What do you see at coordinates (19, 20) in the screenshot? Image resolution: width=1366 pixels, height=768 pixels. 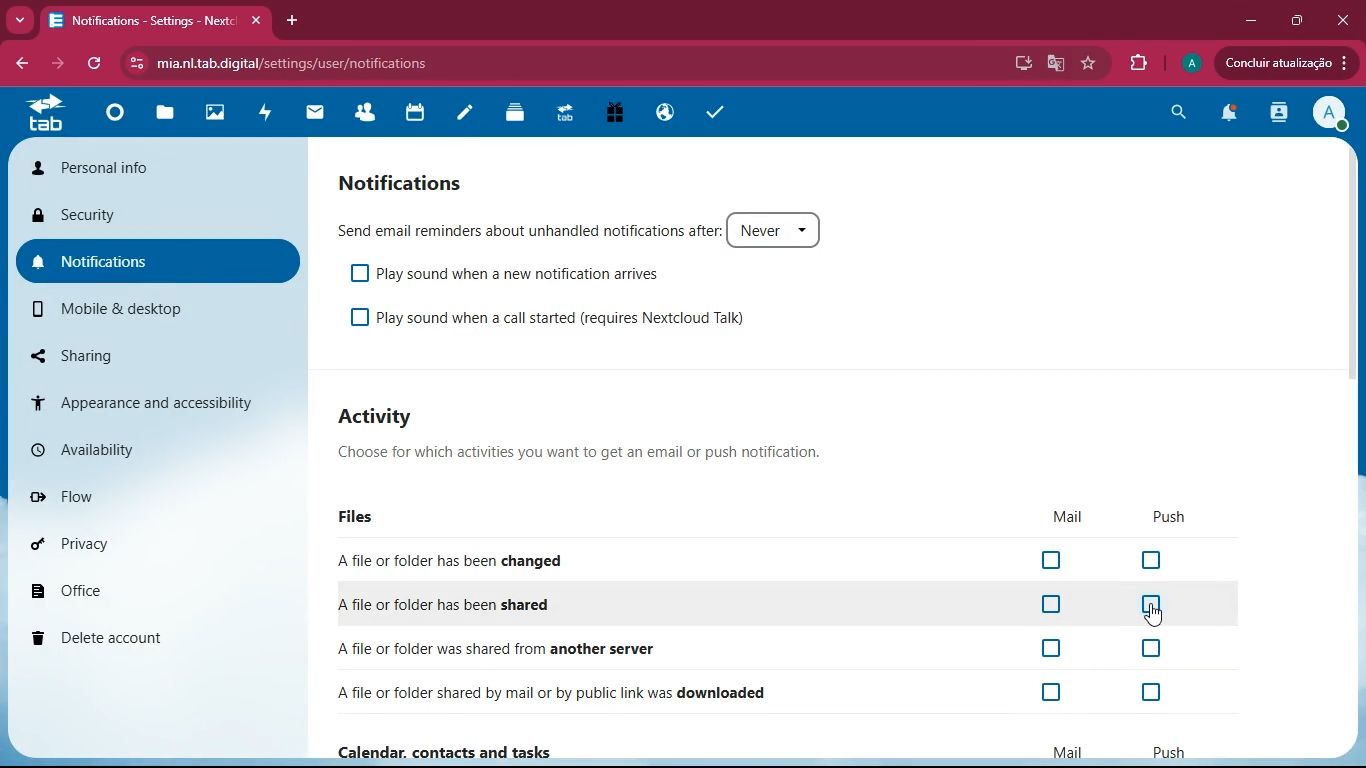 I see `more` at bounding box center [19, 20].